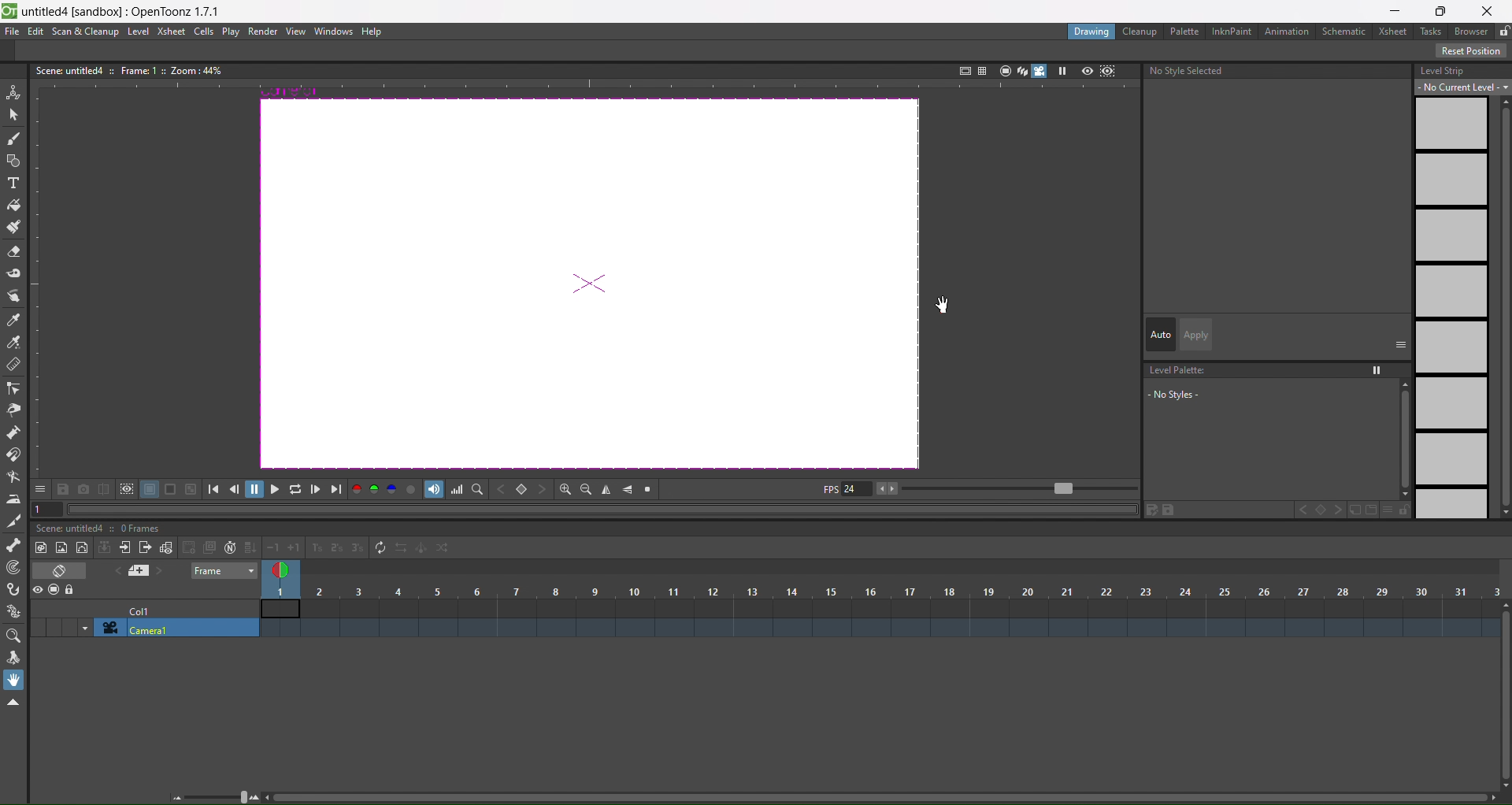 This screenshot has height=805, width=1512. What do you see at coordinates (227, 548) in the screenshot?
I see `auto input cell number` at bounding box center [227, 548].